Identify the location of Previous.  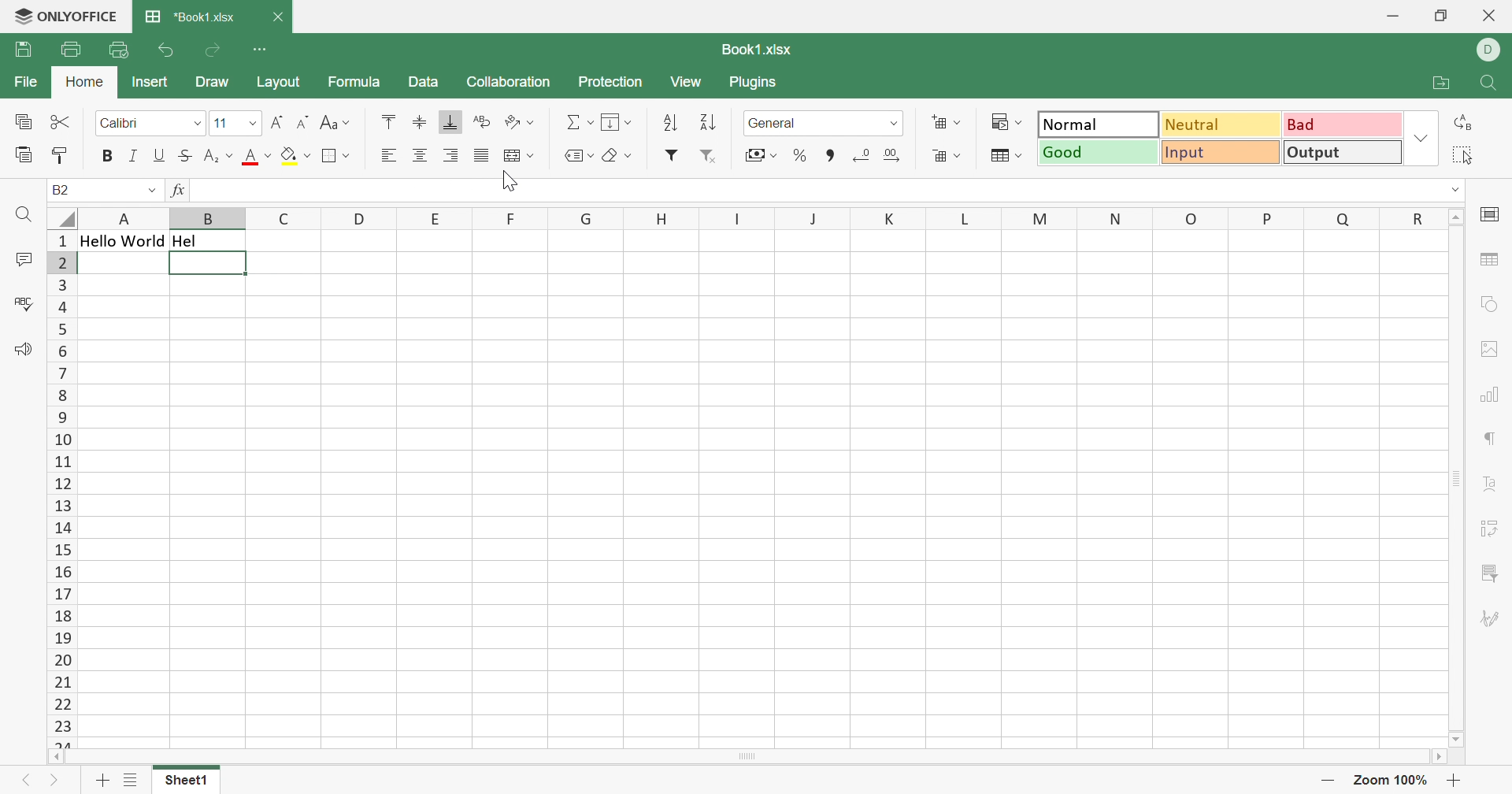
(28, 780).